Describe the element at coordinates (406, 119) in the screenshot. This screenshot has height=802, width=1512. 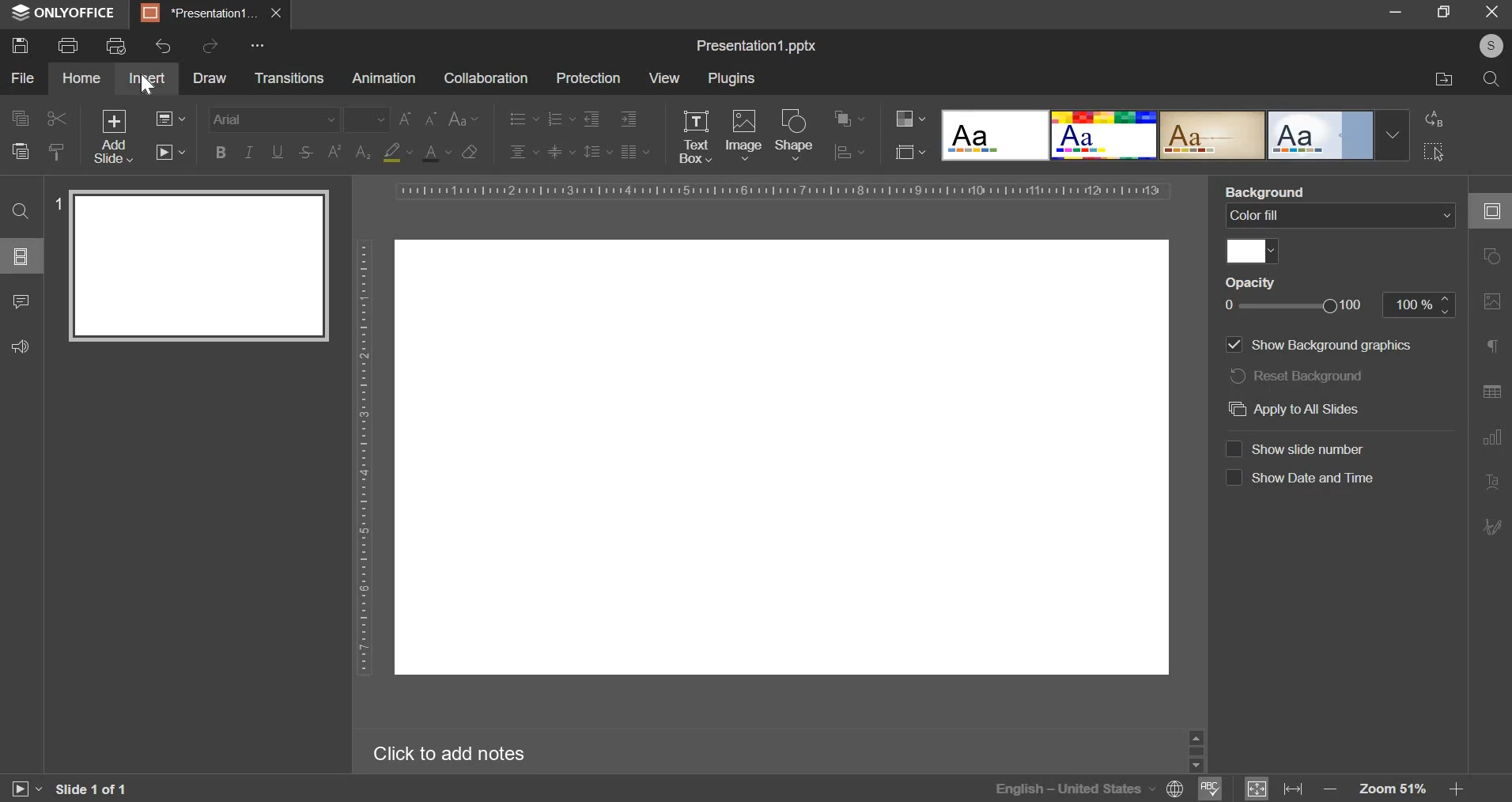
I see `increase font size ` at that location.